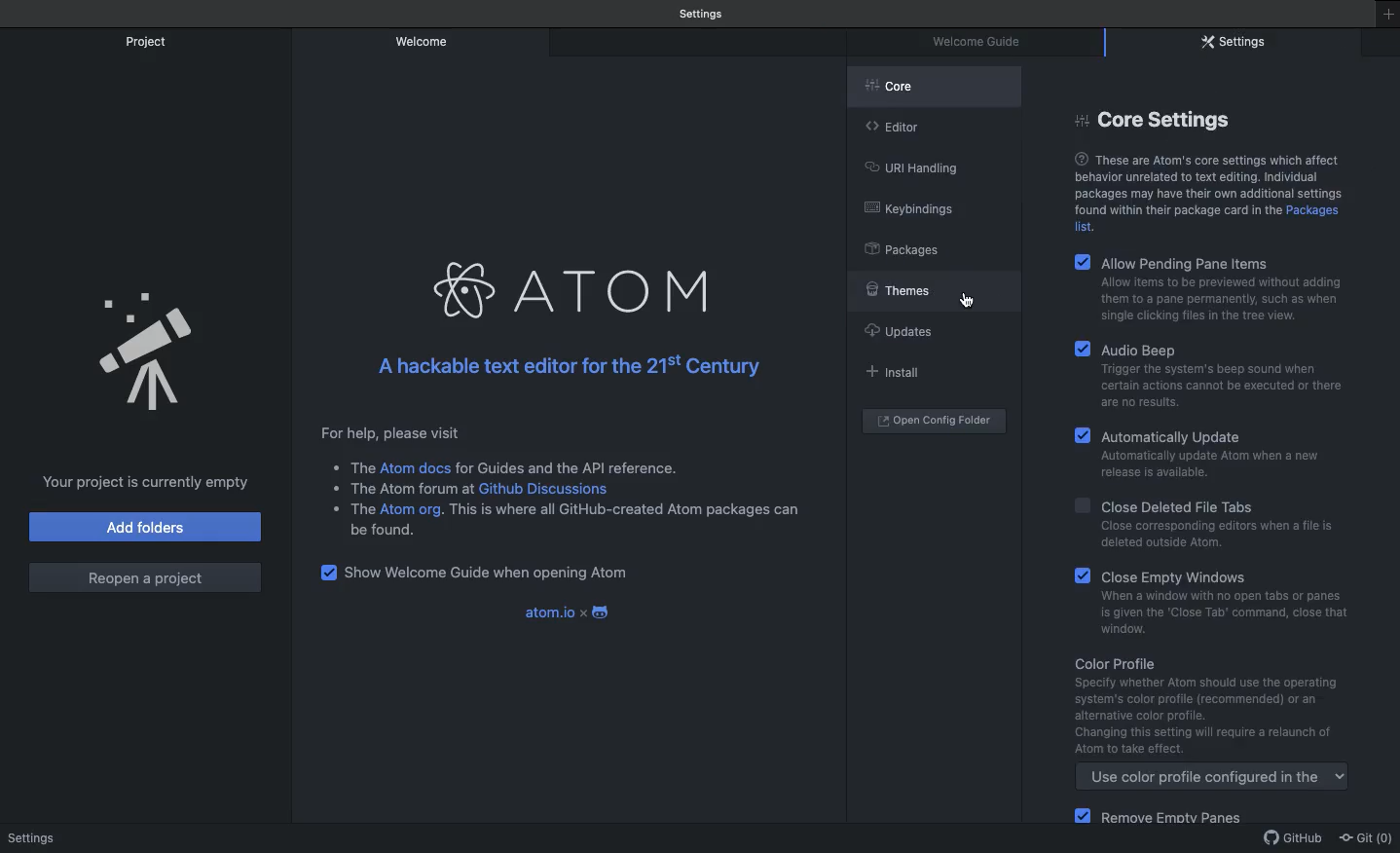  I want to click on Specify whether Atom should use the operating
system's color profile (recommended) or an
alternative color profile.

Changing this setting will require a relaunch of
IL ll ET,, so click(1211, 718).